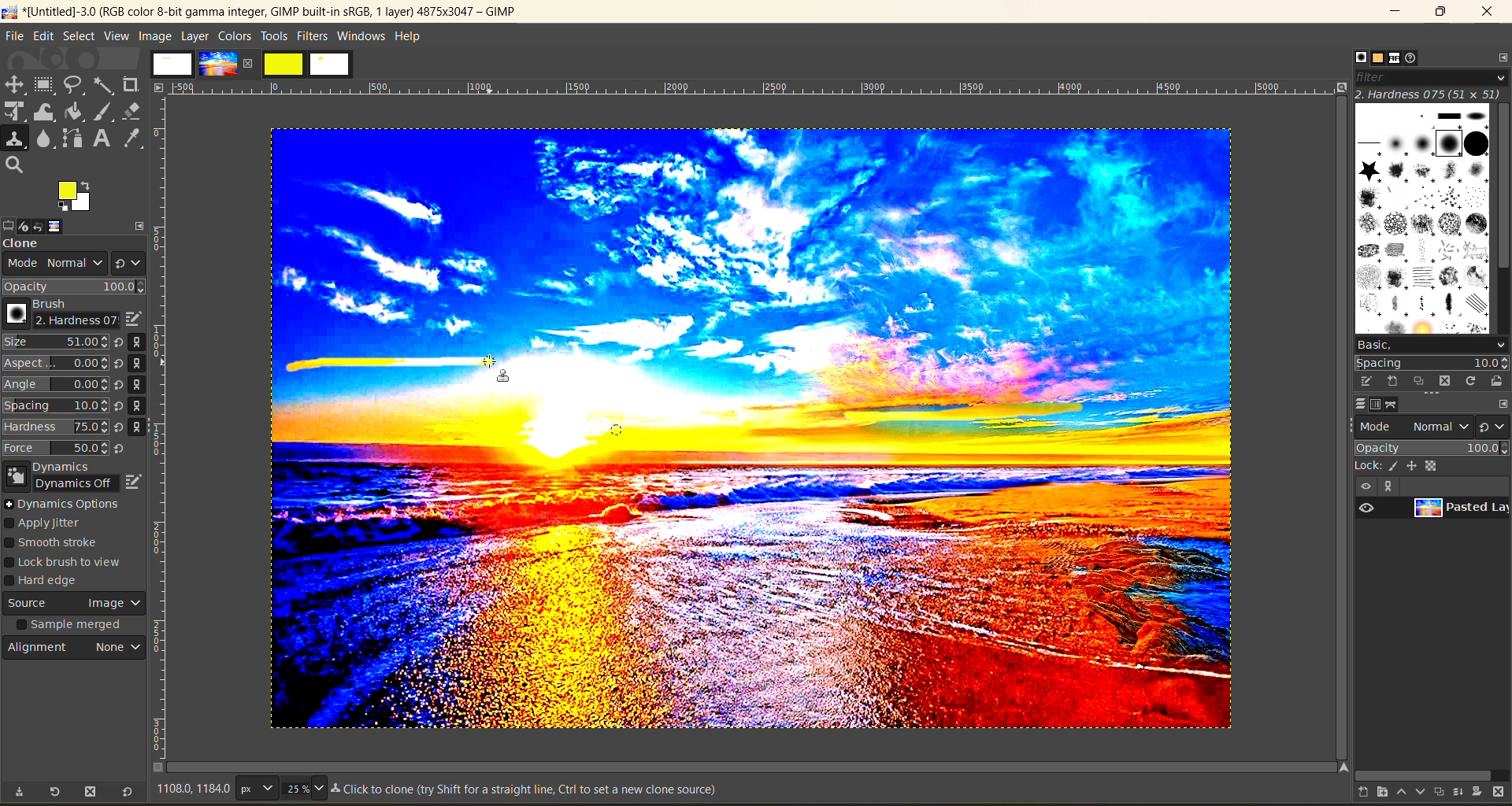  Describe the element at coordinates (131, 83) in the screenshot. I see `crope tool` at that location.